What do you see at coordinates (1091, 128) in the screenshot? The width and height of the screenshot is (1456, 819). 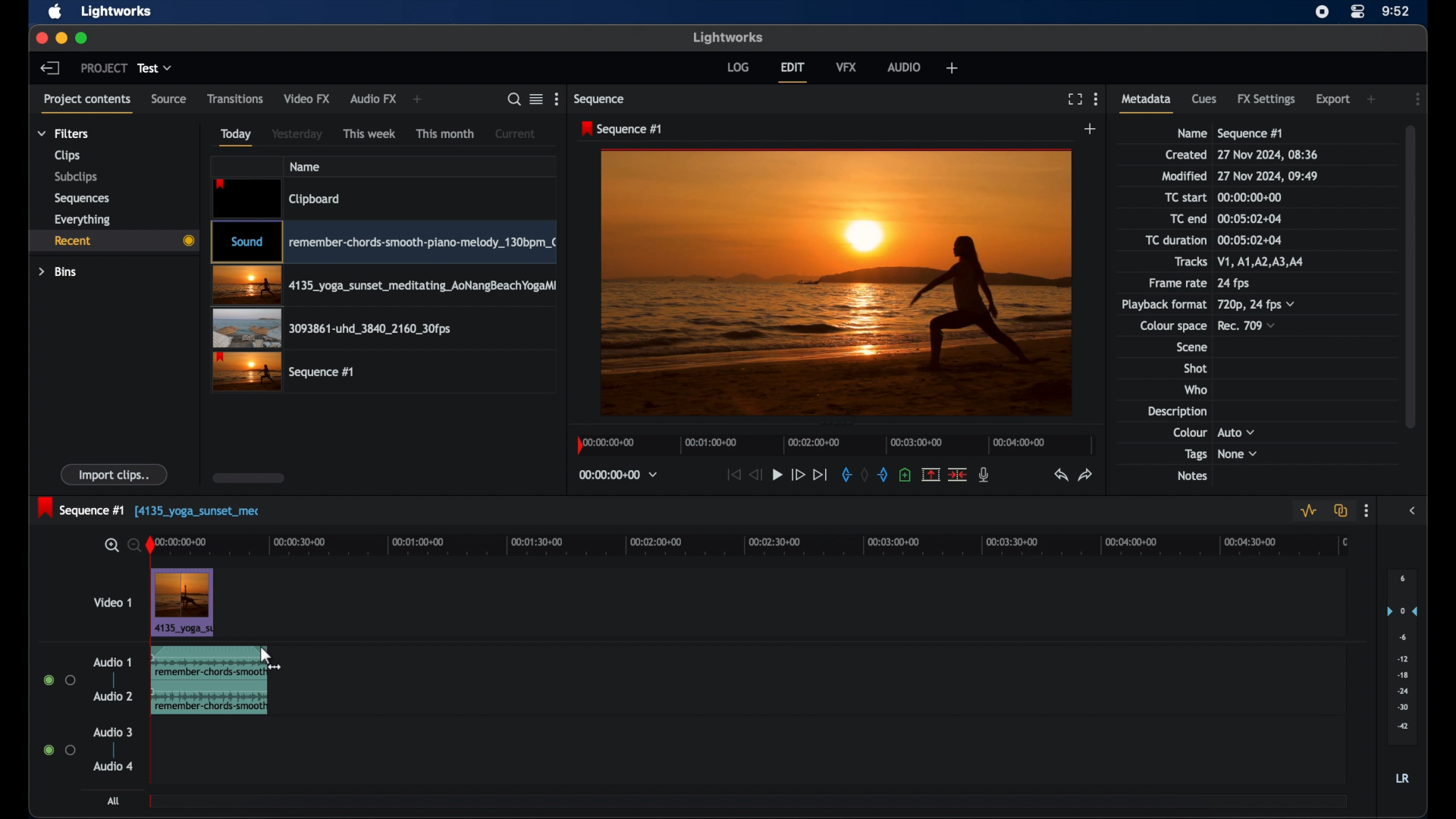 I see `add` at bounding box center [1091, 128].